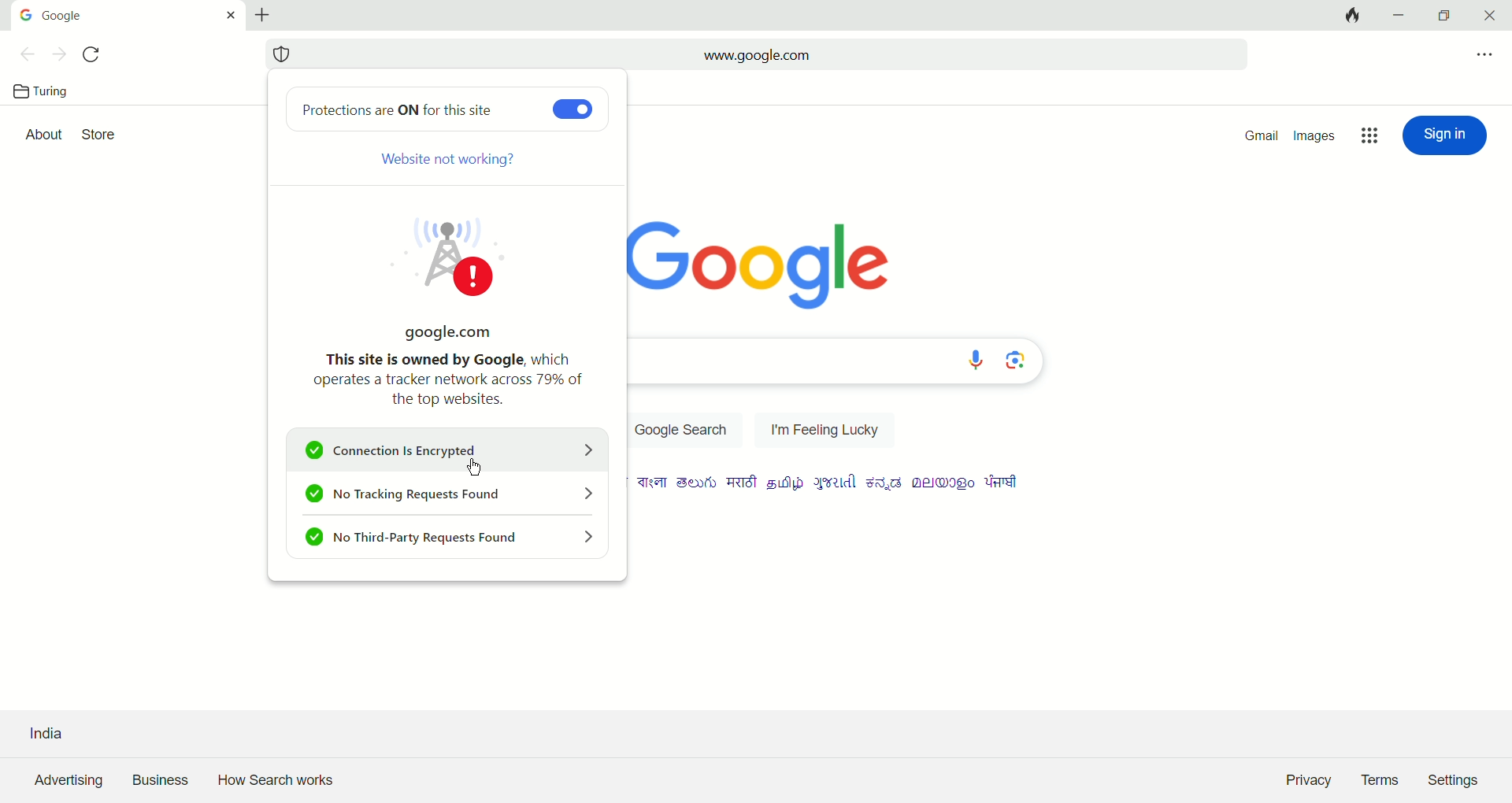 The image size is (1512, 803). Describe the element at coordinates (472, 464) in the screenshot. I see `pointer cursor` at that location.